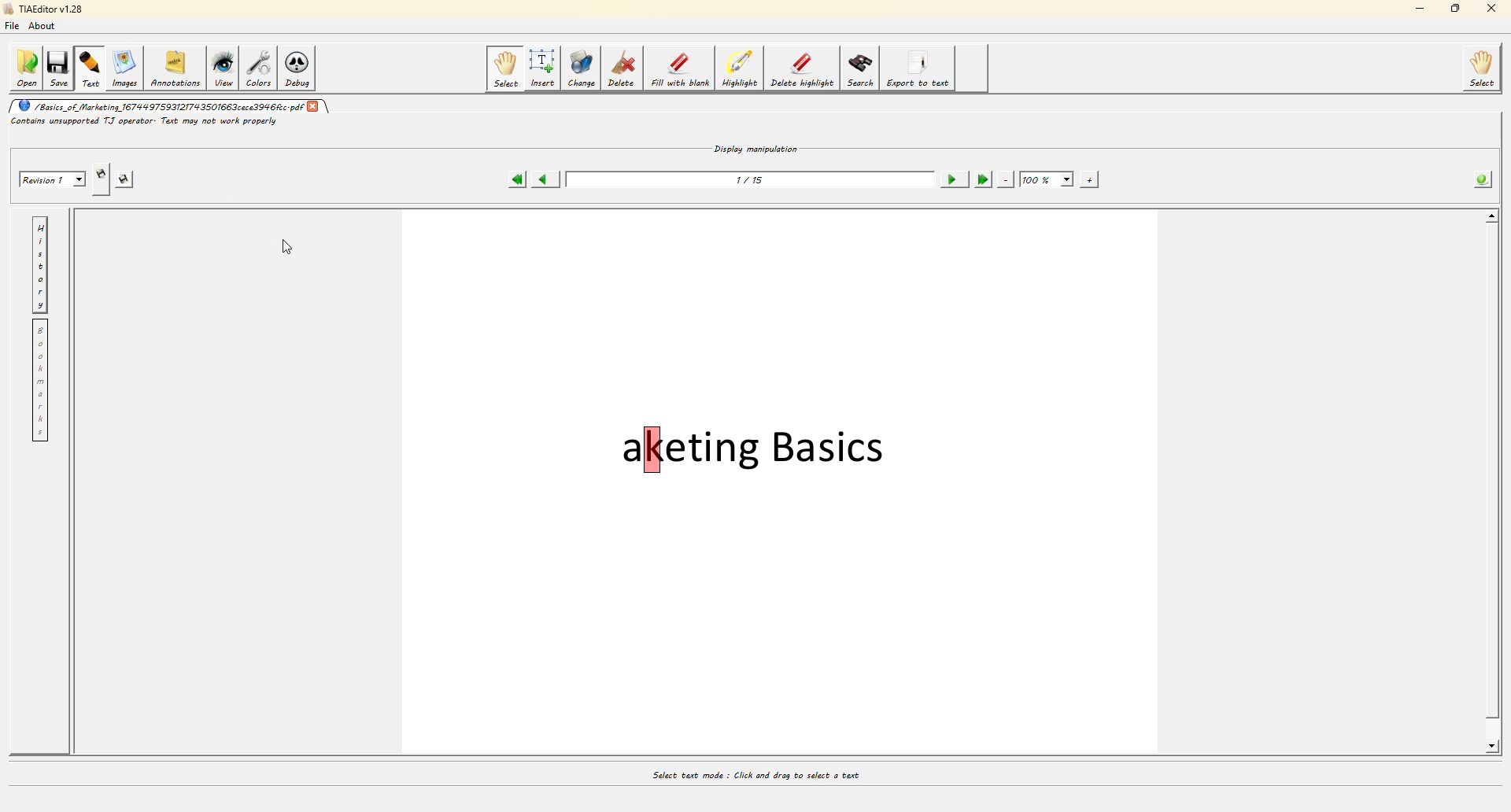 Image resolution: width=1511 pixels, height=812 pixels. What do you see at coordinates (751, 179) in the screenshot?
I see `page number` at bounding box center [751, 179].